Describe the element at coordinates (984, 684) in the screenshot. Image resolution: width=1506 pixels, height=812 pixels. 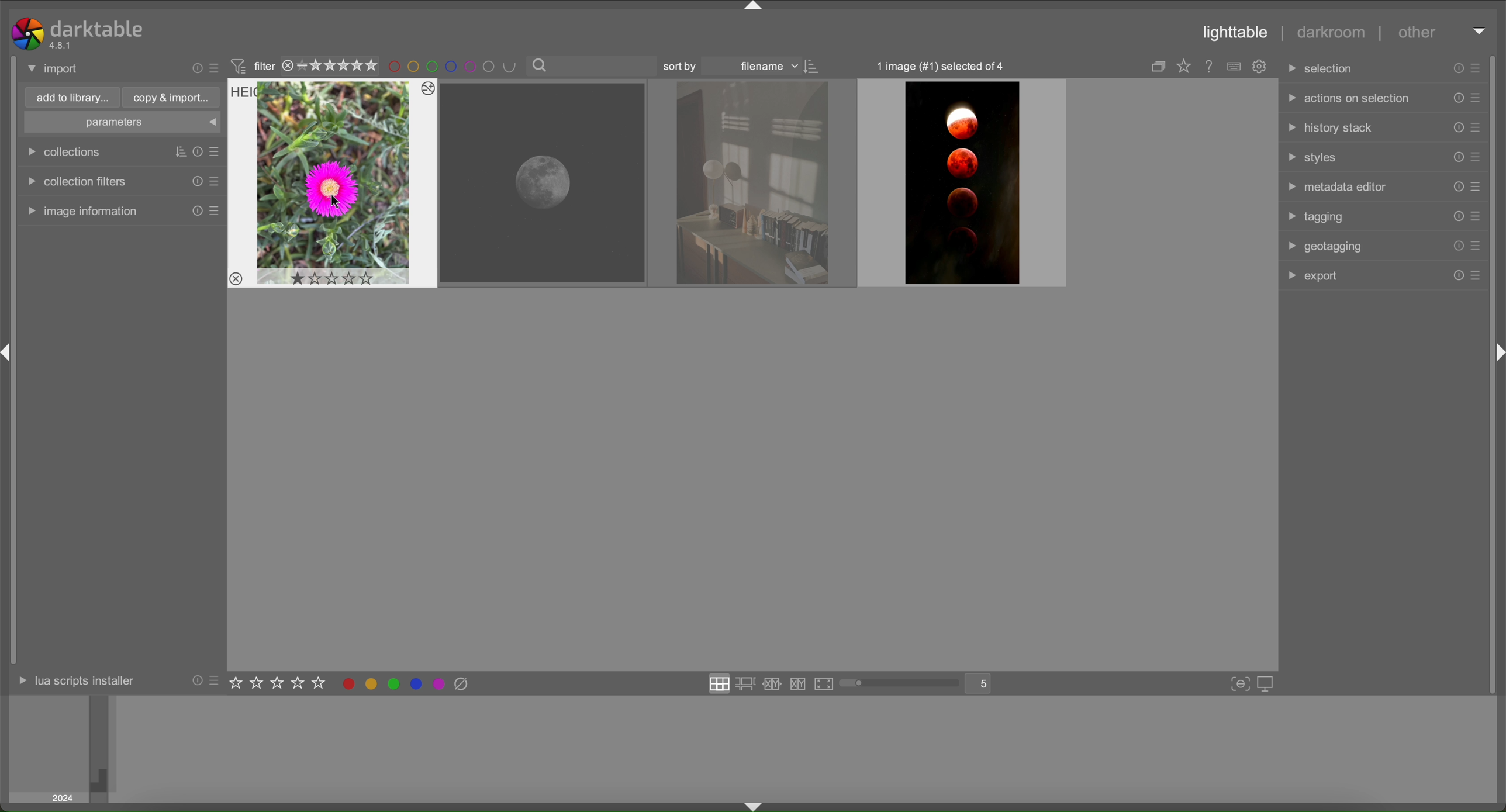
I see `5` at that location.